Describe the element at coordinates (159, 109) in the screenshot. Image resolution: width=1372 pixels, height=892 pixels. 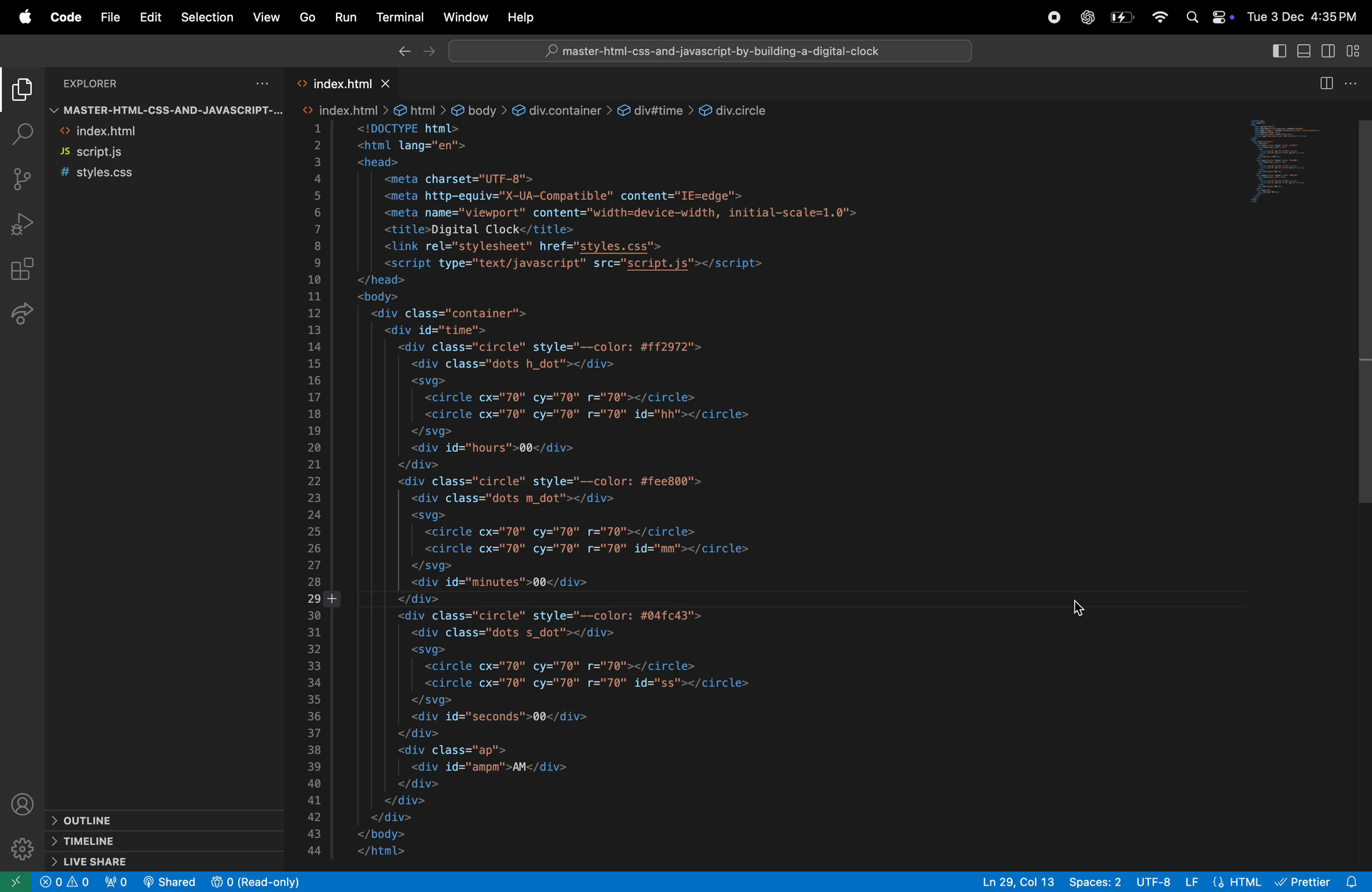
I see `master file` at that location.